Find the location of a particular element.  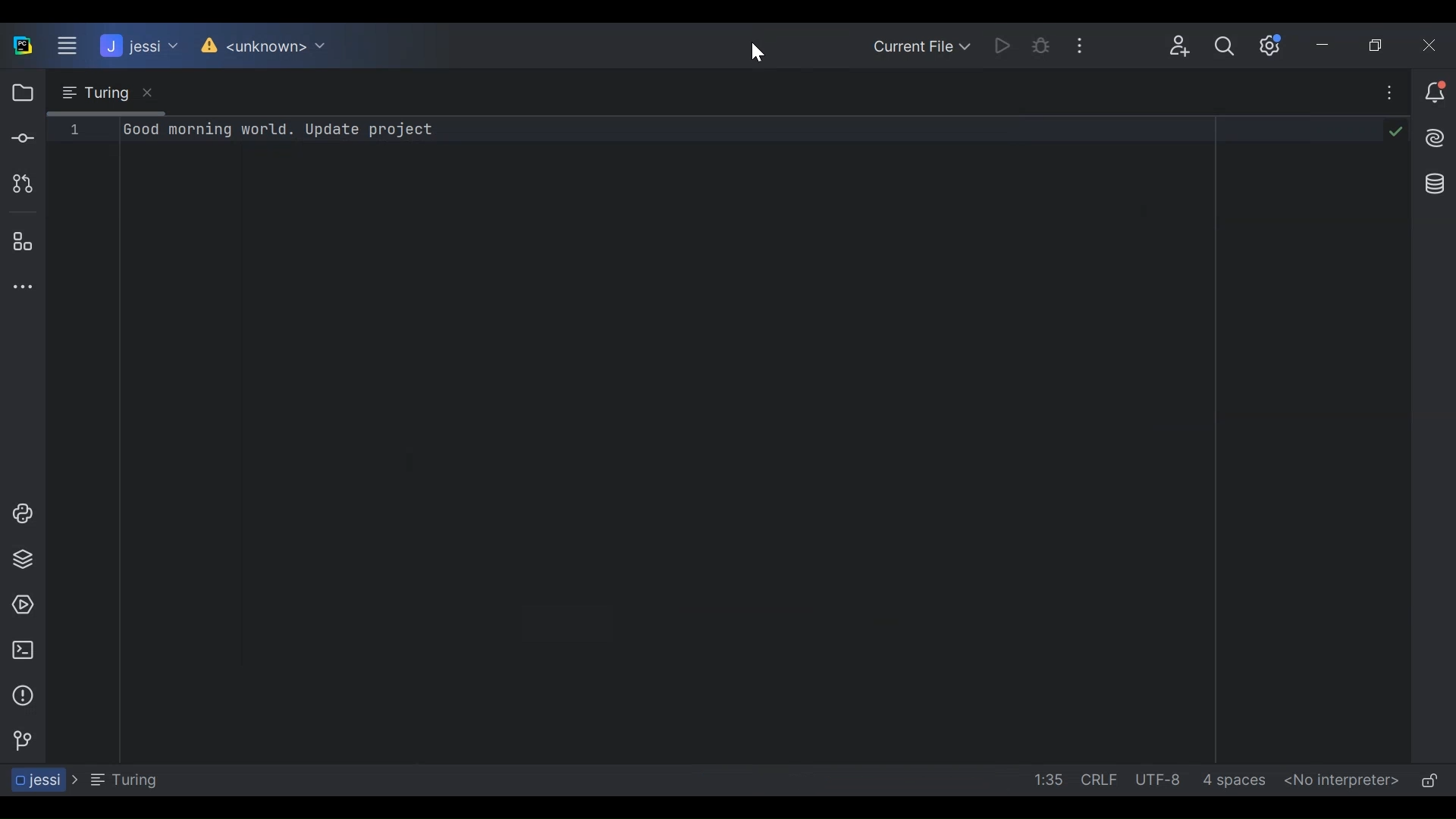

Pull Requests is located at coordinates (19, 184).